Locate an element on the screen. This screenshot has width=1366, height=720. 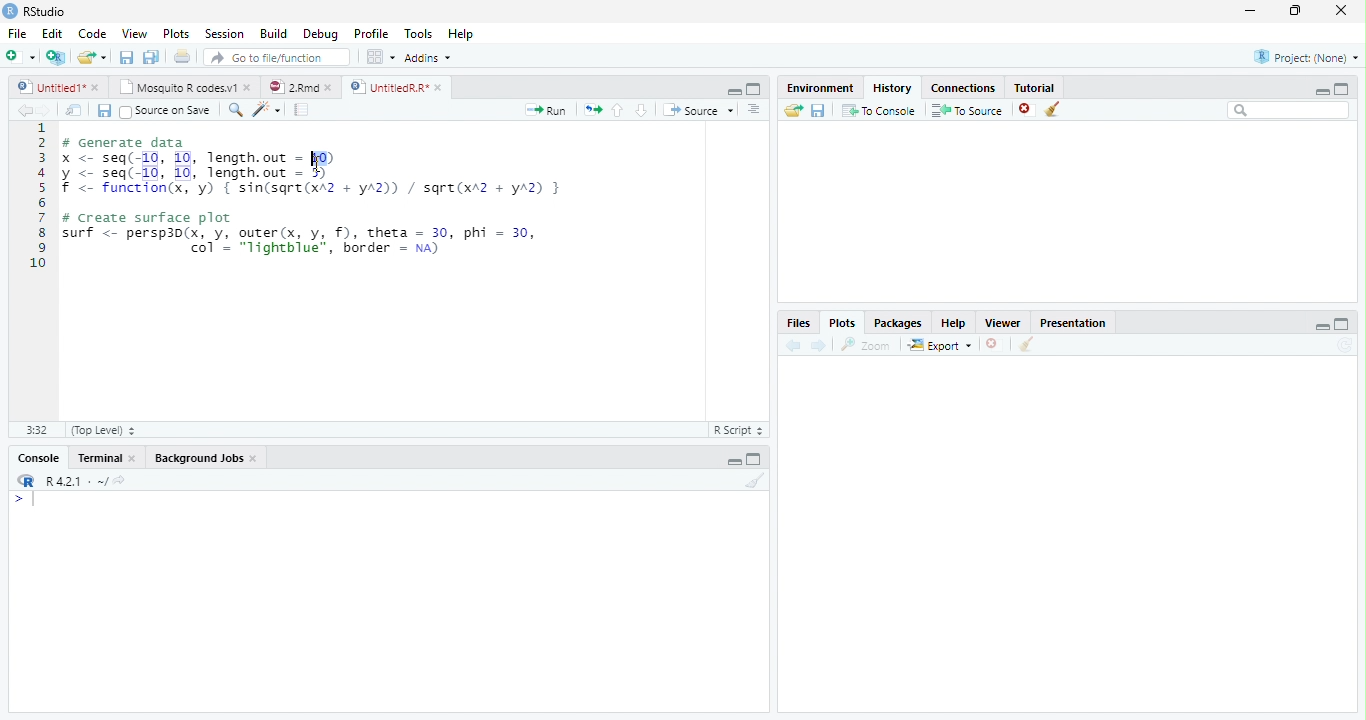
Compile Report is located at coordinates (301, 109).